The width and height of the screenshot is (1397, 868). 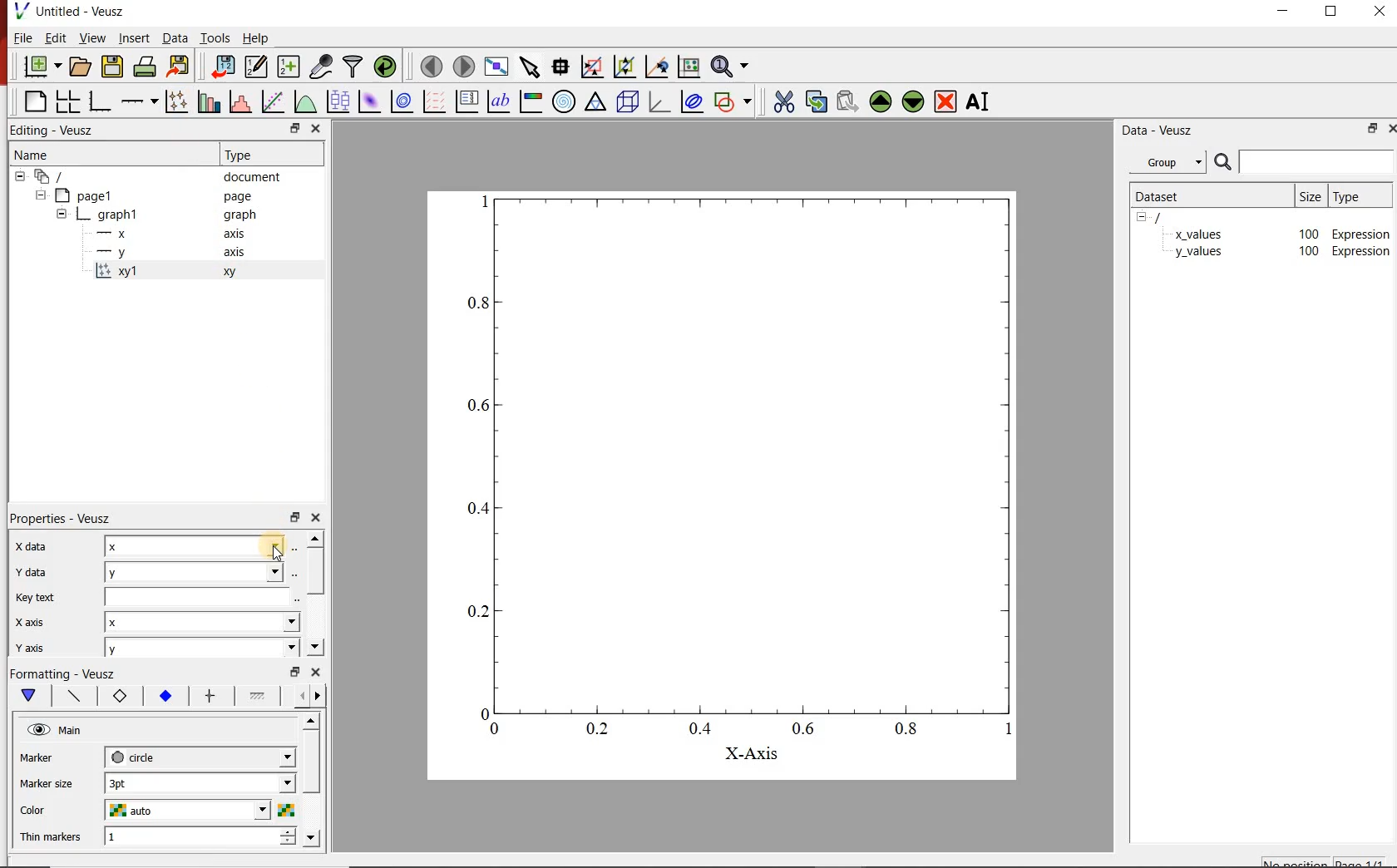 I want to click on click to recenter graph axes, so click(x=656, y=67).